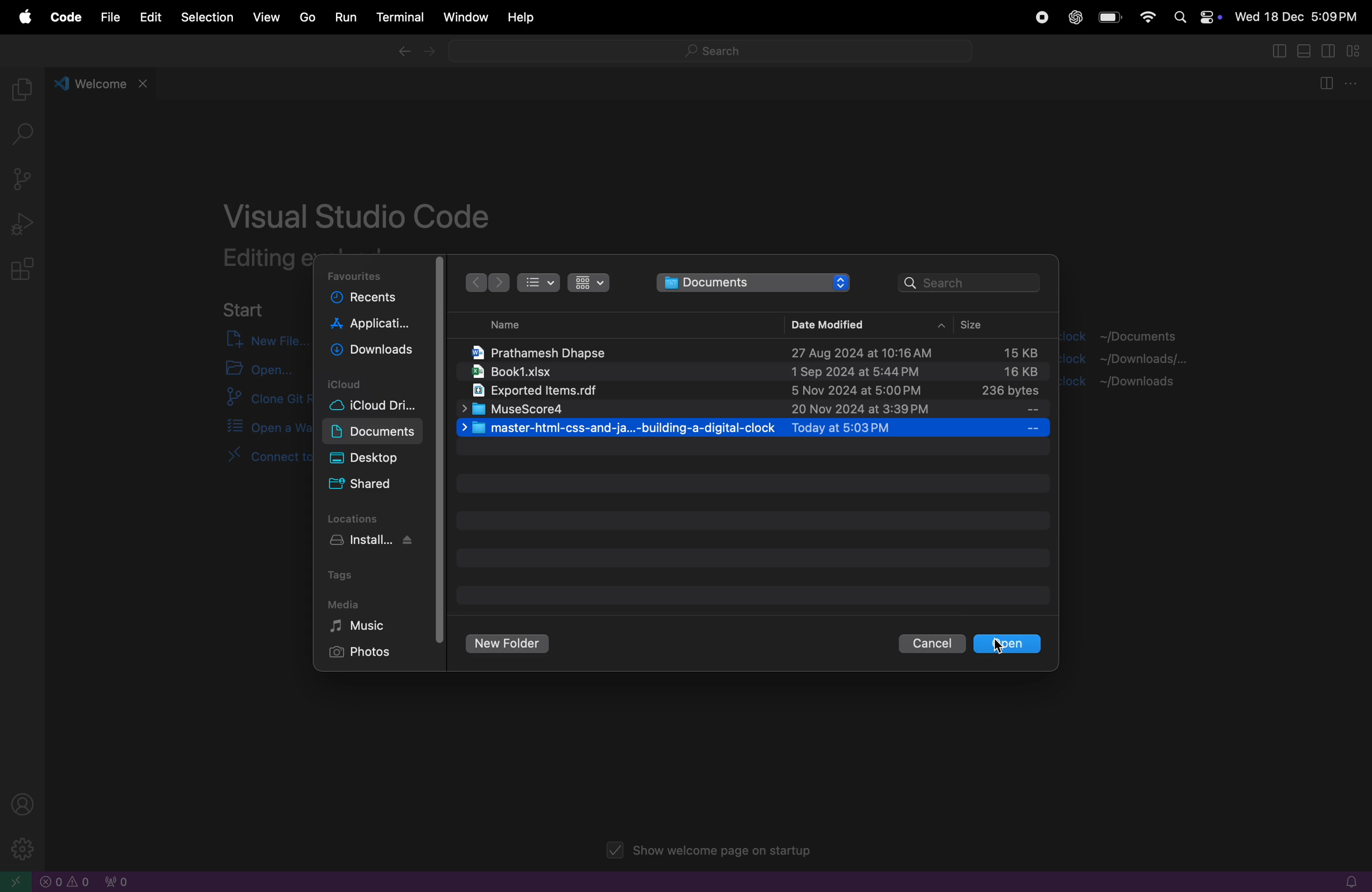  Describe the element at coordinates (1147, 16) in the screenshot. I see `` at that location.